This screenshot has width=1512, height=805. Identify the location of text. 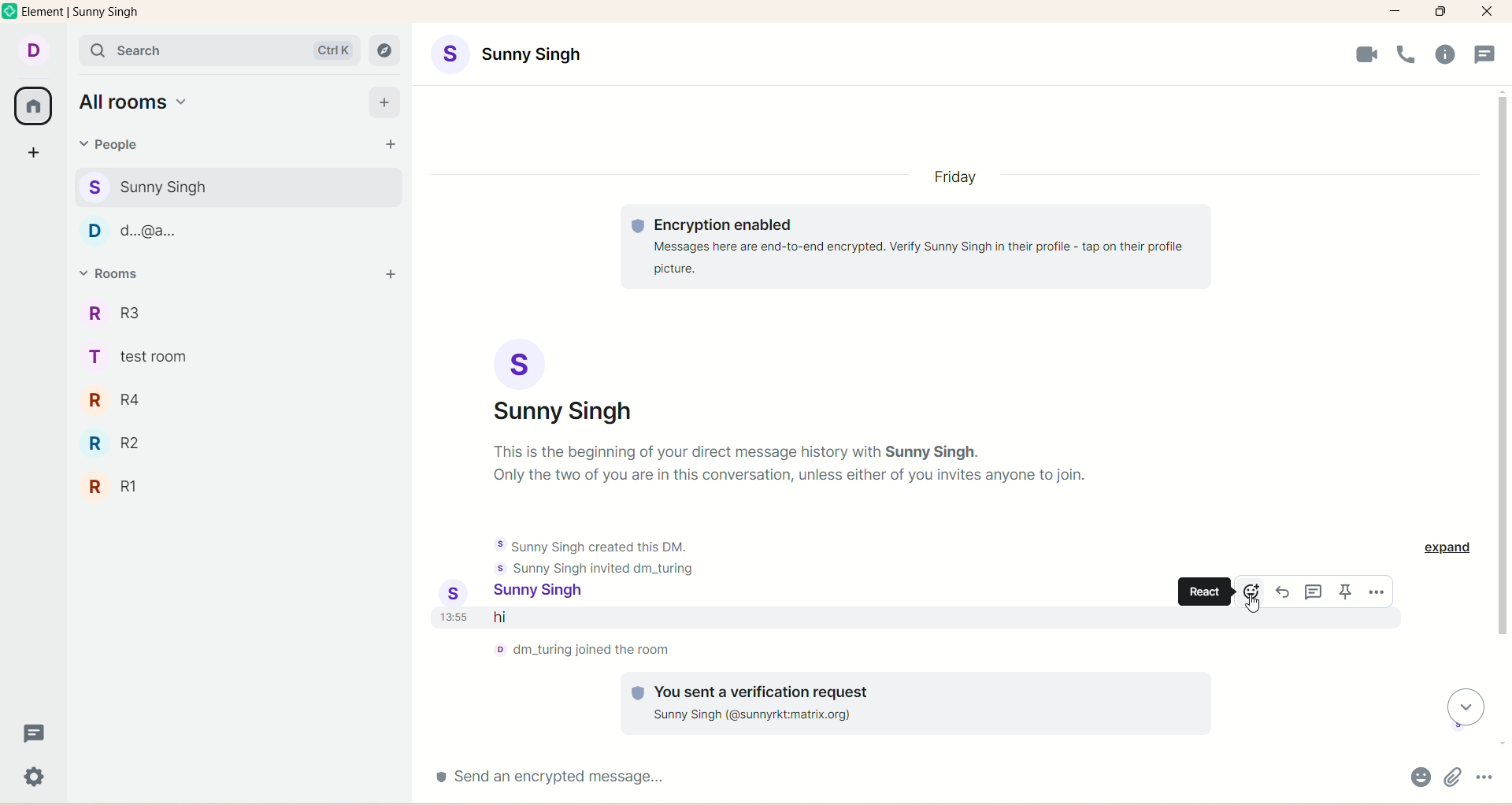
(916, 703).